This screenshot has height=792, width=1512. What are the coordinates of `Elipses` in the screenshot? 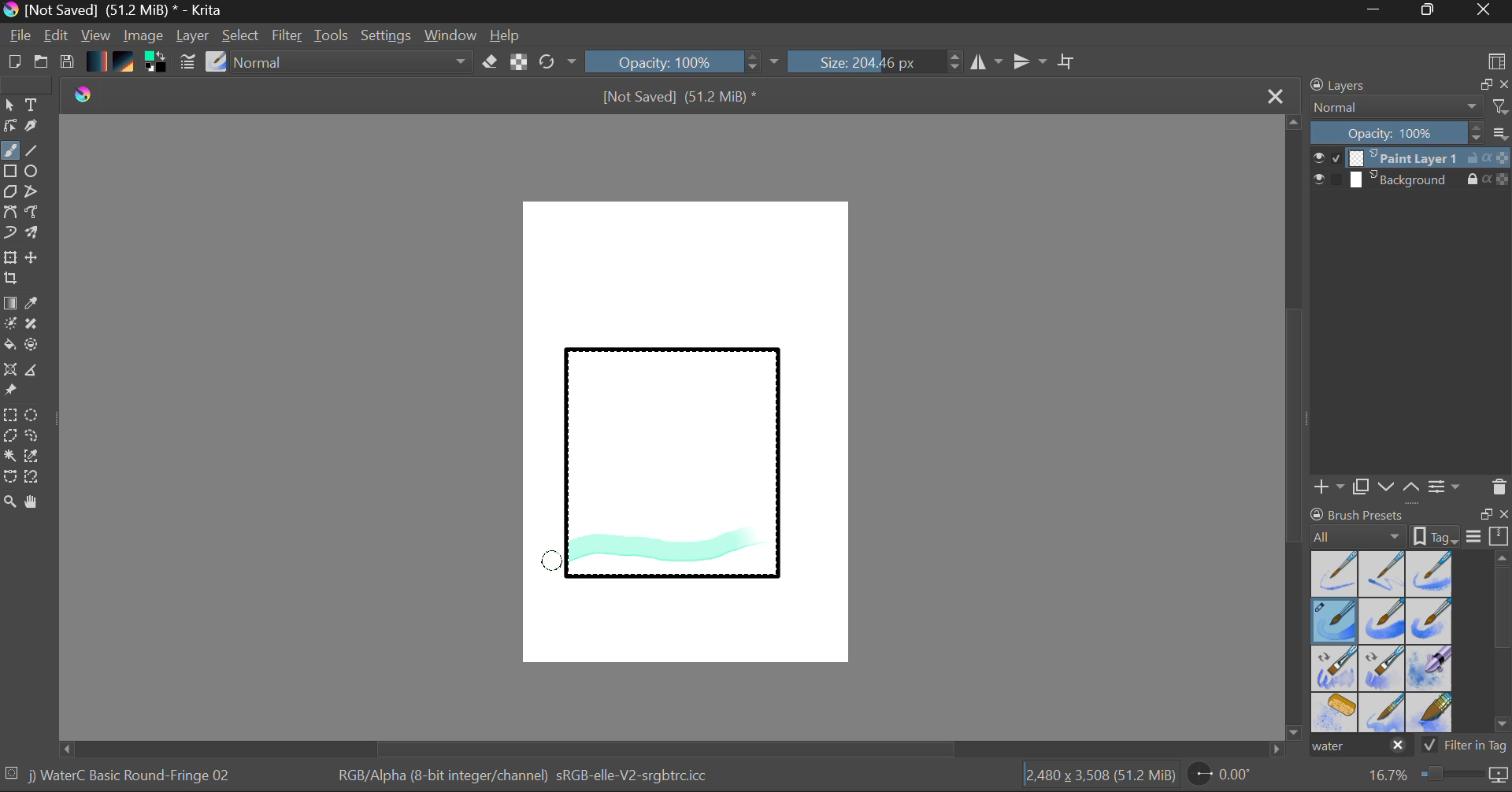 It's located at (34, 172).